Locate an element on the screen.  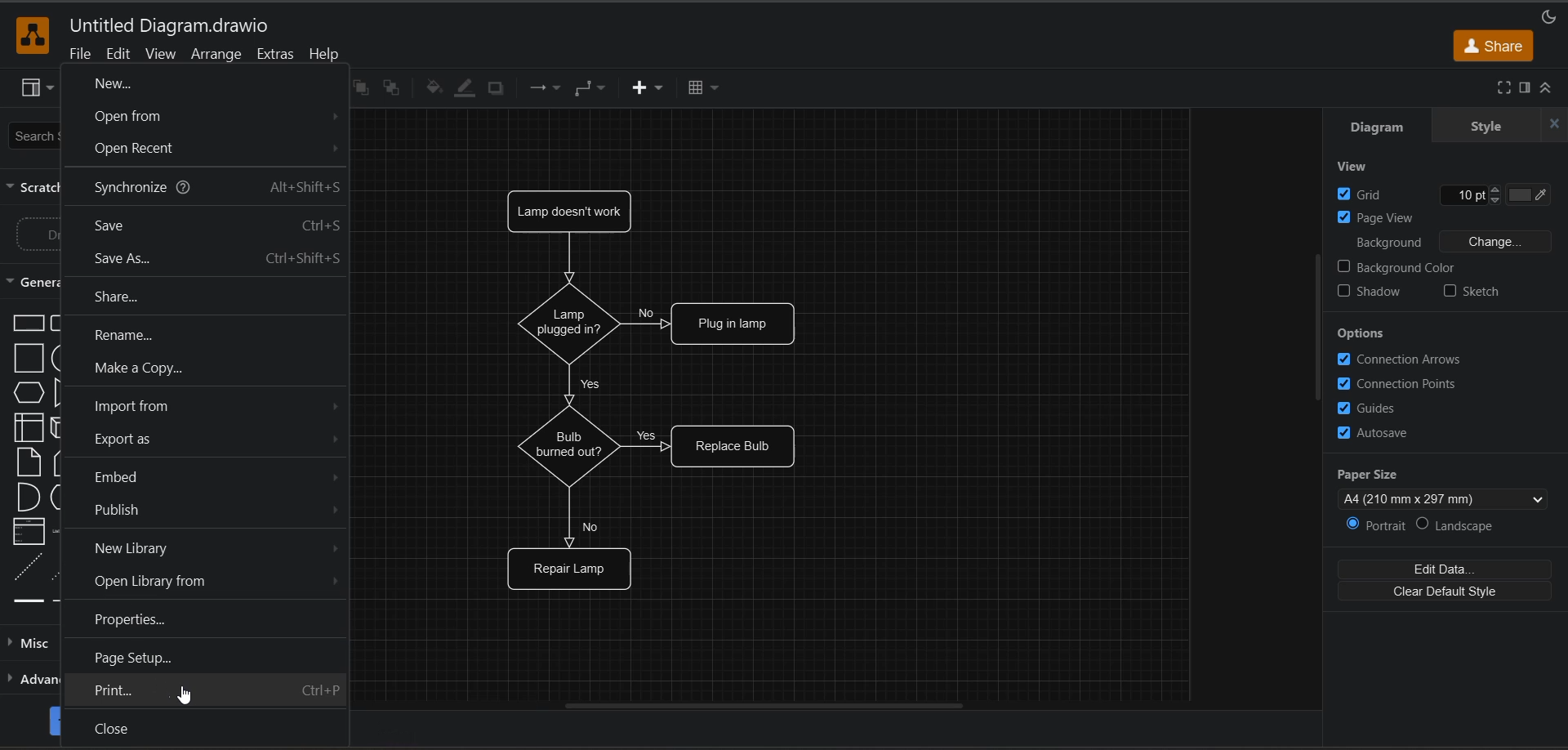
line color is located at coordinates (464, 90).